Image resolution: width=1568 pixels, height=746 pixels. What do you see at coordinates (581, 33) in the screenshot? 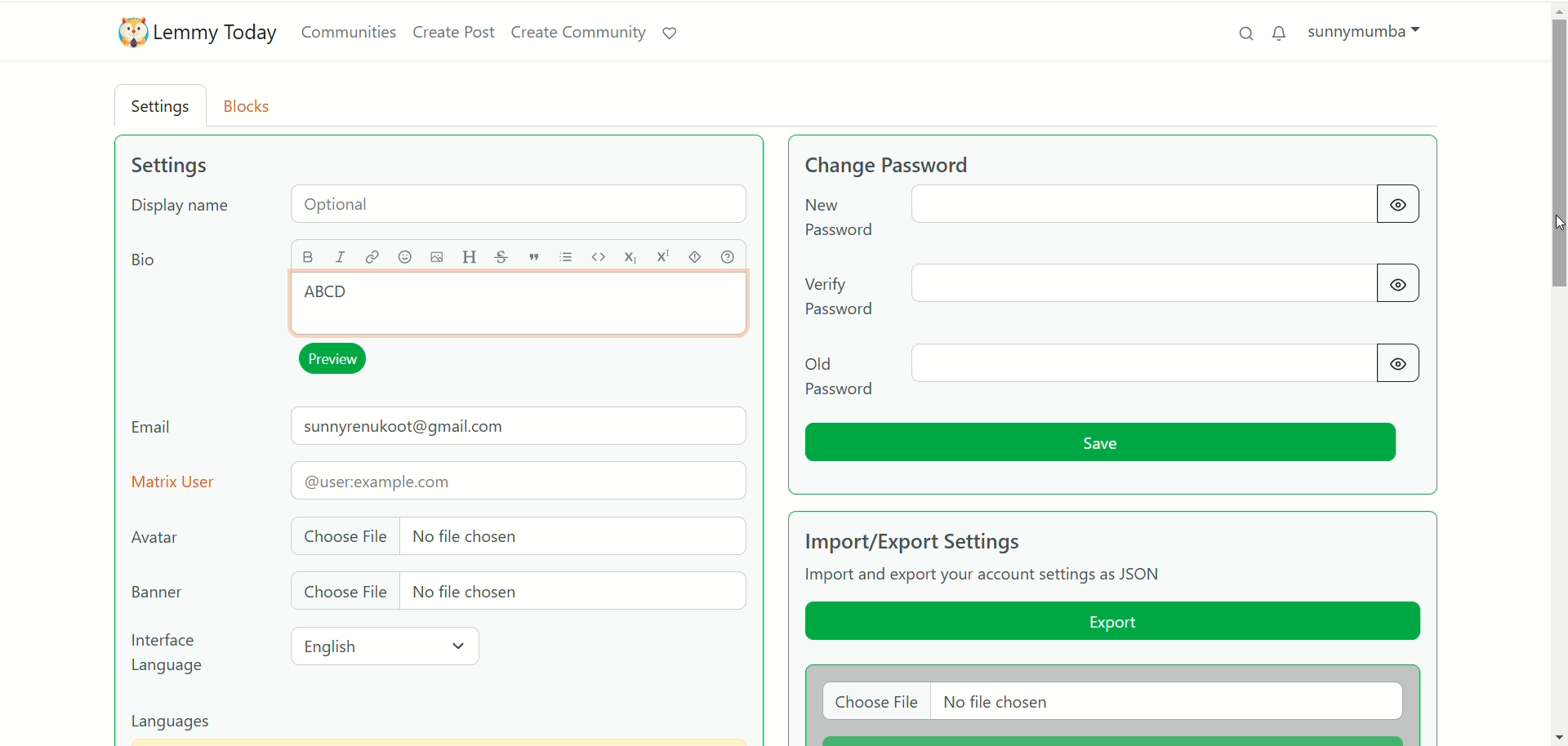
I see `create community` at bounding box center [581, 33].